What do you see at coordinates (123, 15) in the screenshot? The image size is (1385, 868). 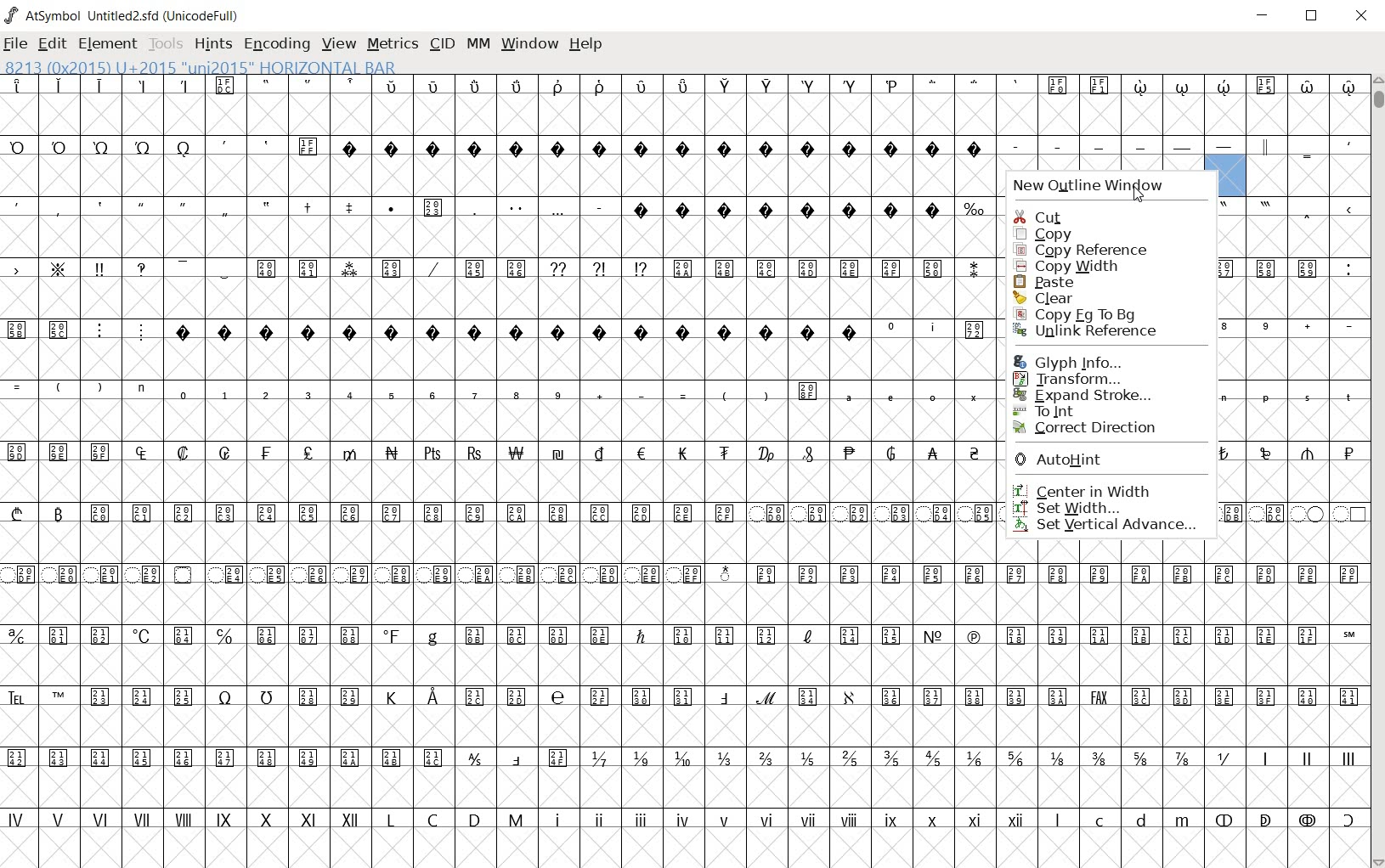 I see `AtSymbol  Untitled2.sfd (UnicodeFull)` at bounding box center [123, 15].